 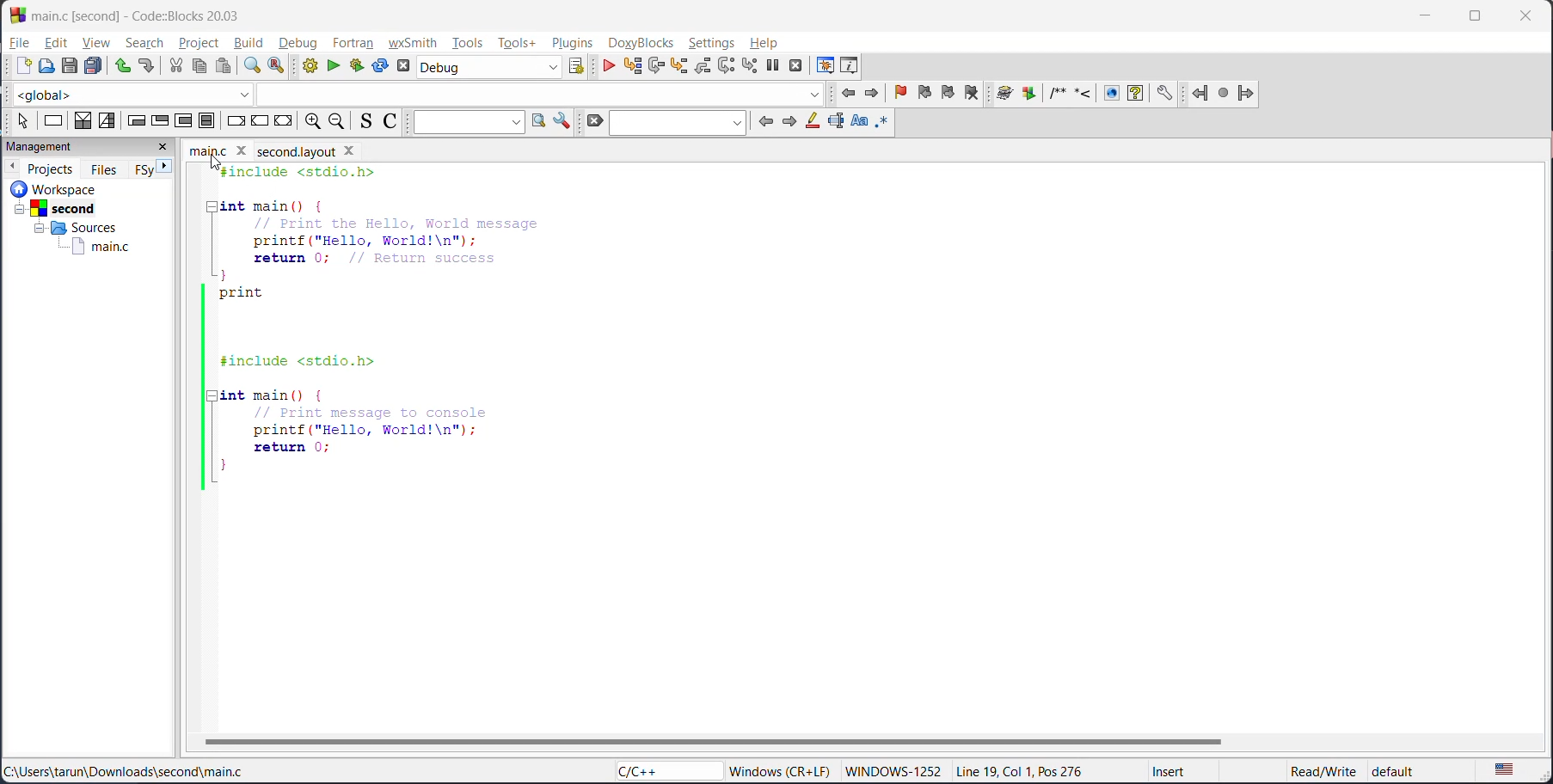 What do you see at coordinates (682, 67) in the screenshot?
I see `step into` at bounding box center [682, 67].